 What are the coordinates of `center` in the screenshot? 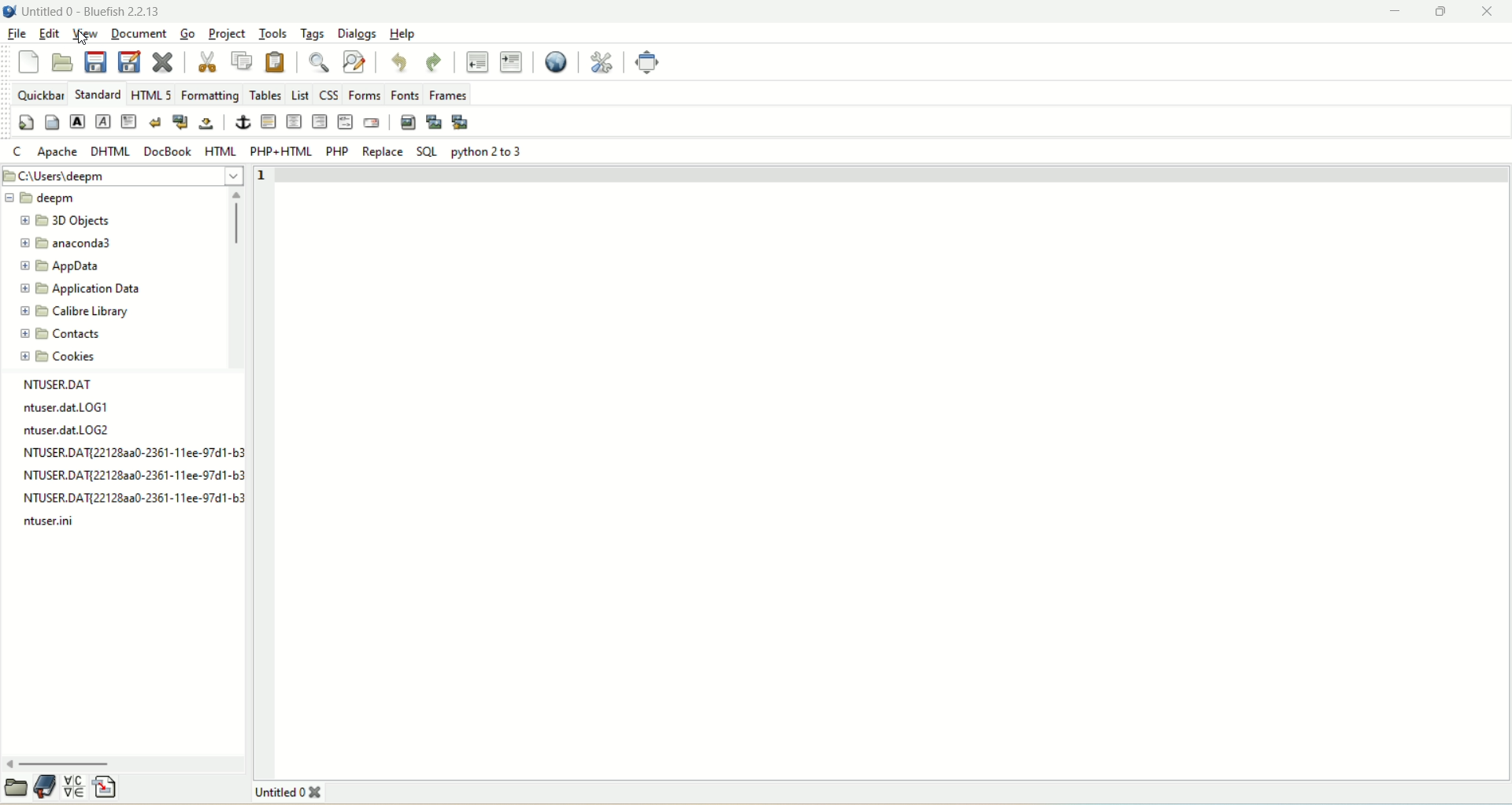 It's located at (294, 121).